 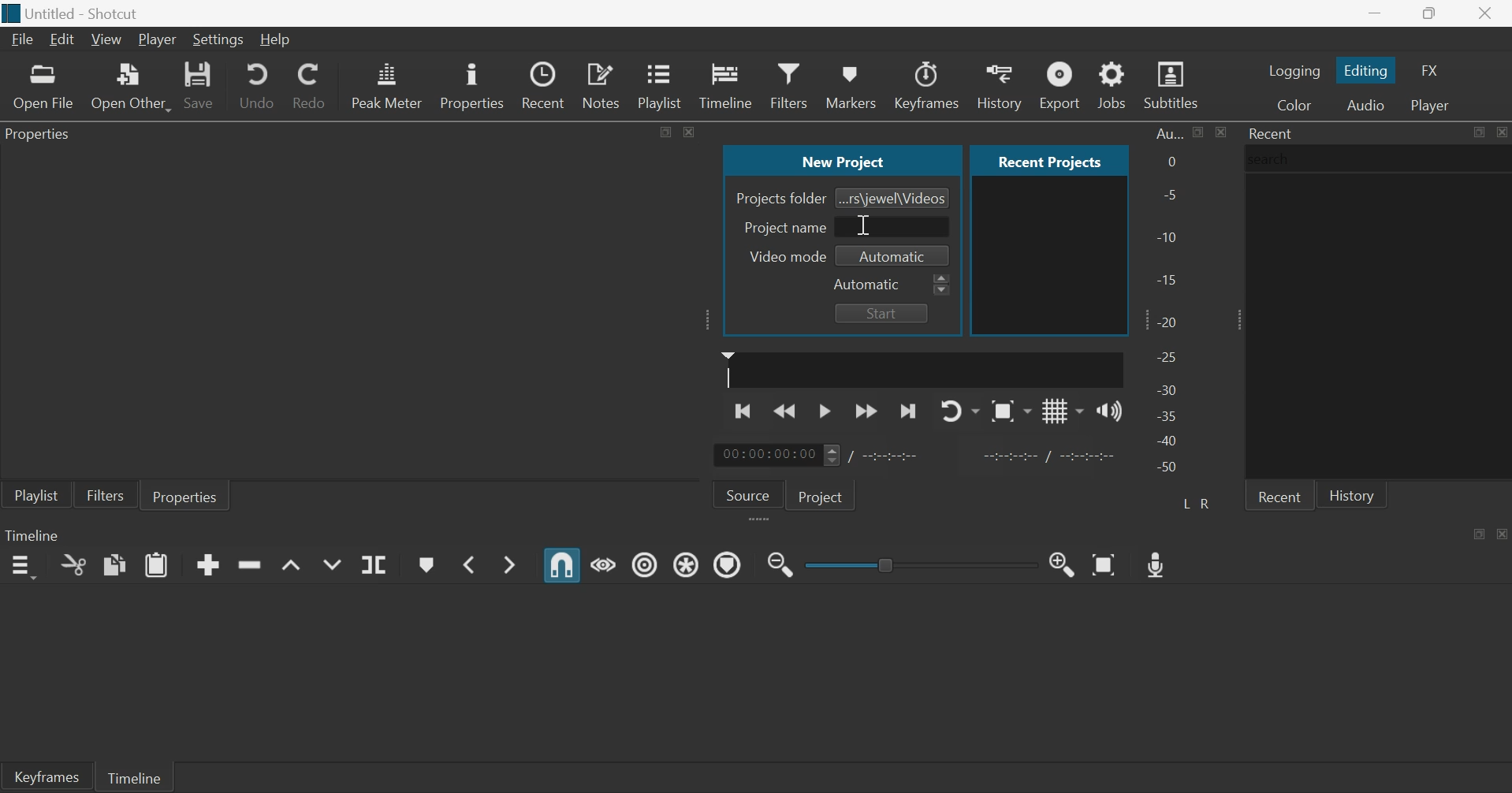 What do you see at coordinates (861, 225) in the screenshot?
I see `Cursor` at bounding box center [861, 225].